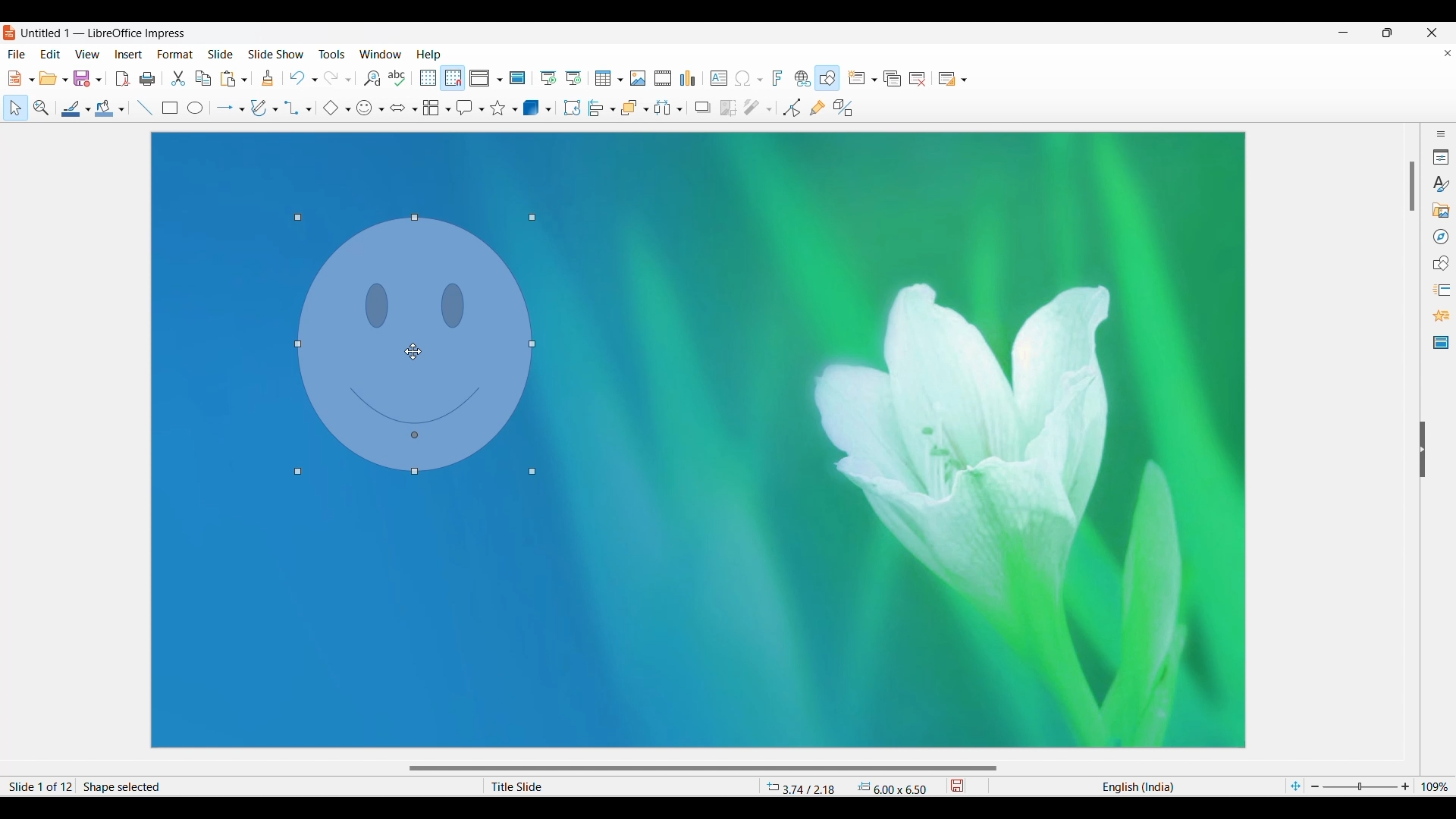 Image resolution: width=1456 pixels, height=819 pixels. I want to click on Tools, so click(332, 53).